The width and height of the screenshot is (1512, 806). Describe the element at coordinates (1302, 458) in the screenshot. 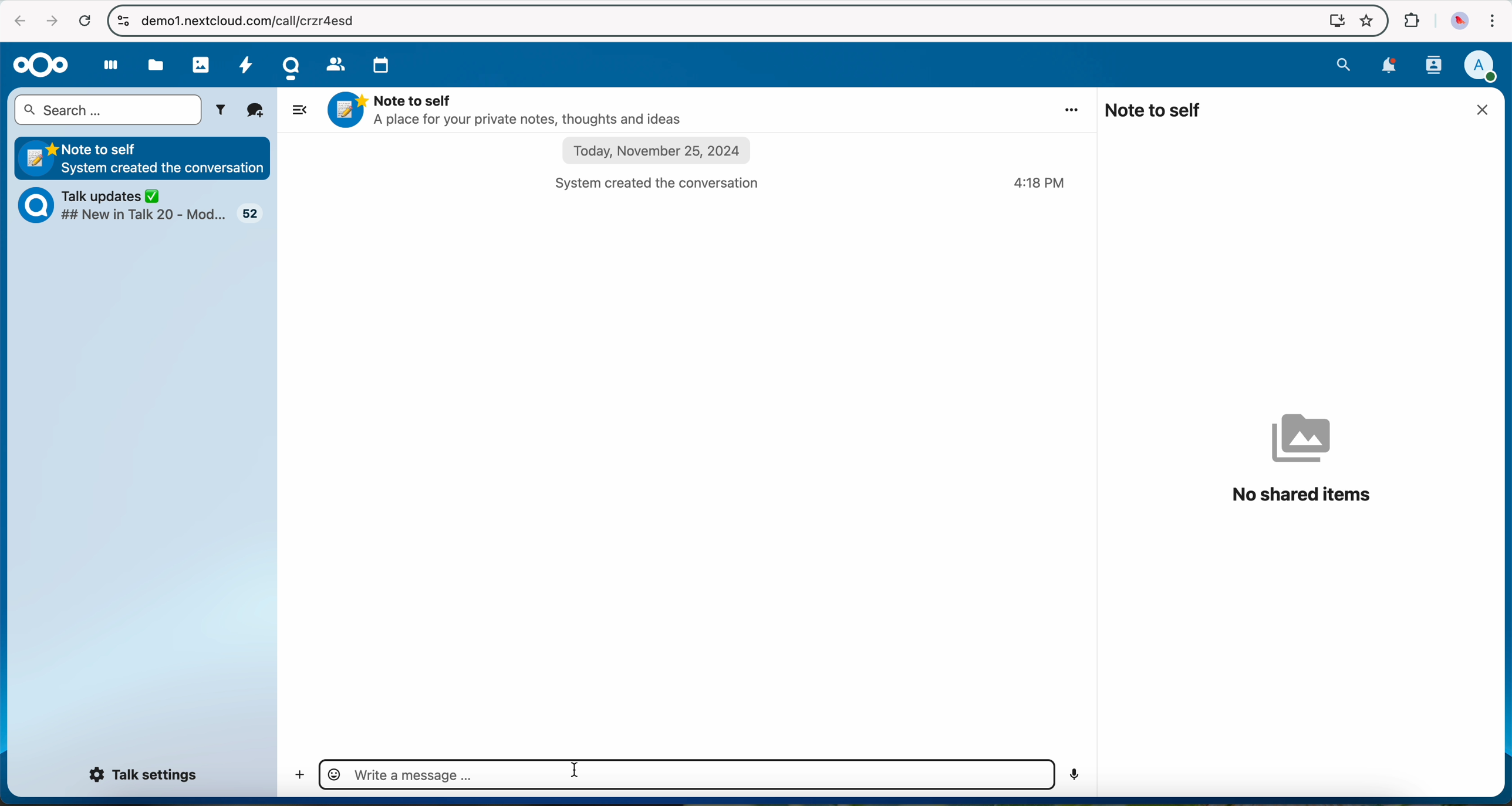

I see `no shared items` at that location.